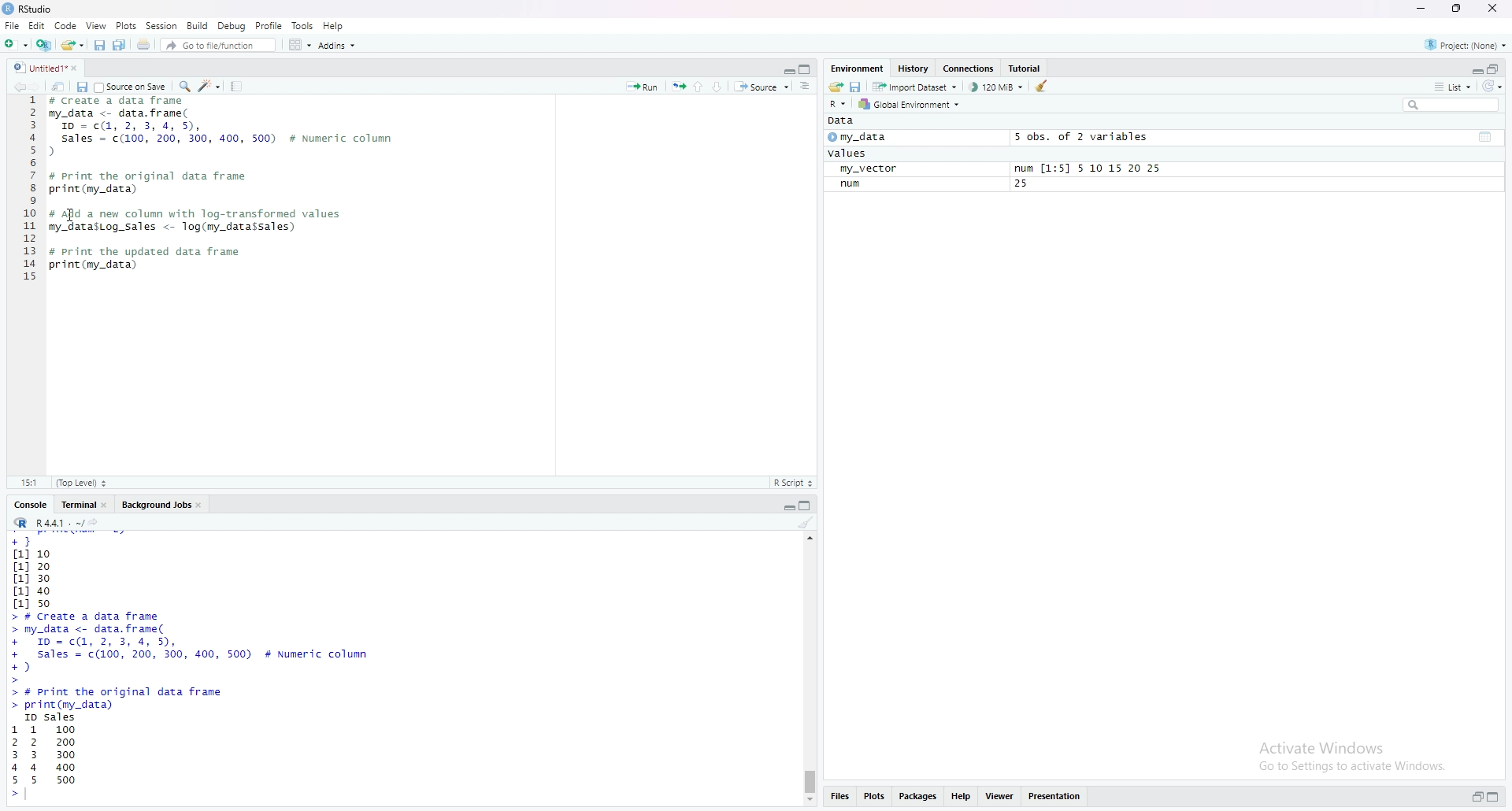 This screenshot has height=811, width=1512. What do you see at coordinates (1495, 89) in the screenshot?
I see `refresh options` at bounding box center [1495, 89].